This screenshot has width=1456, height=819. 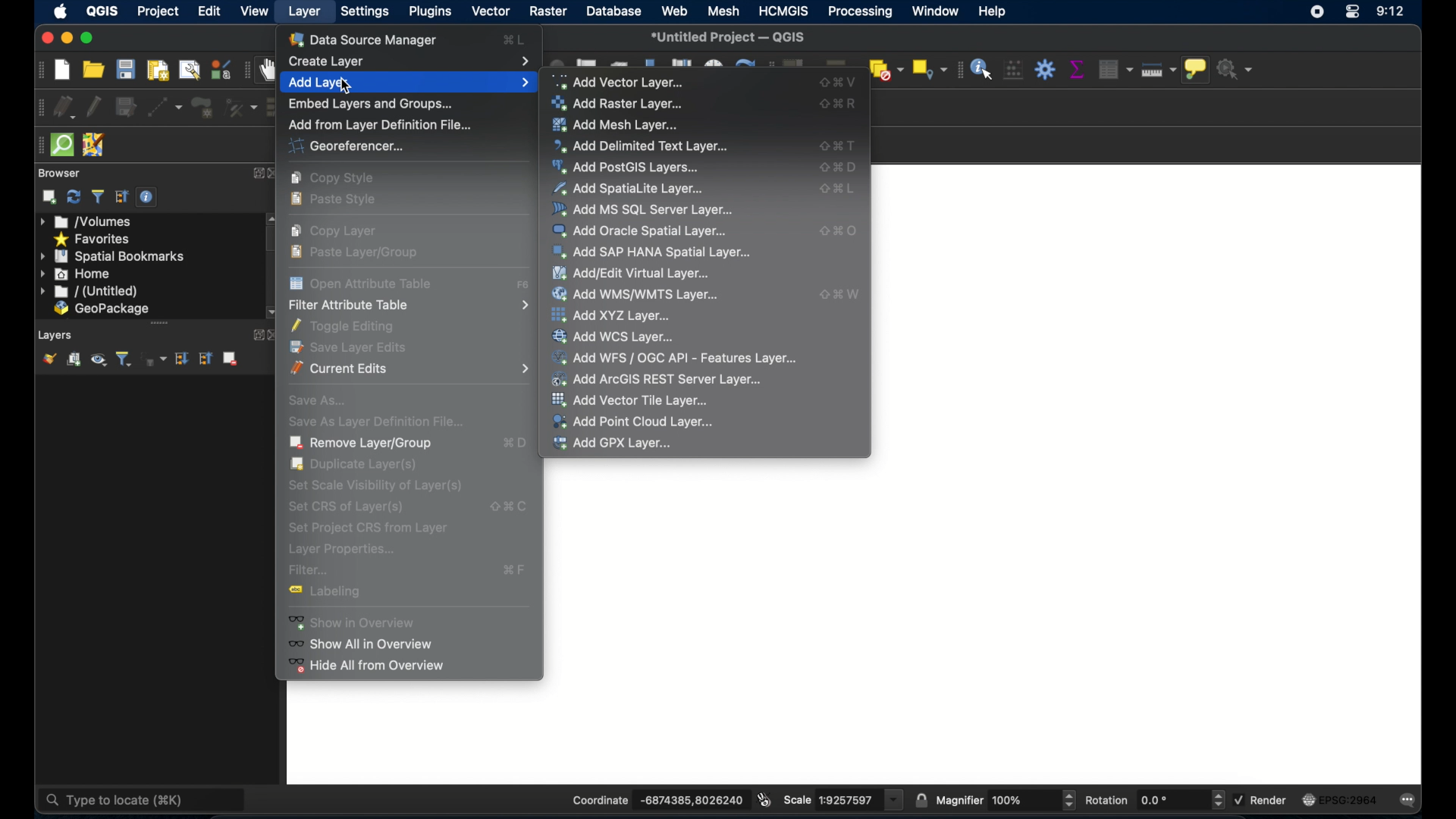 I want to click on toggle extents and mouse display position, so click(x=763, y=799).